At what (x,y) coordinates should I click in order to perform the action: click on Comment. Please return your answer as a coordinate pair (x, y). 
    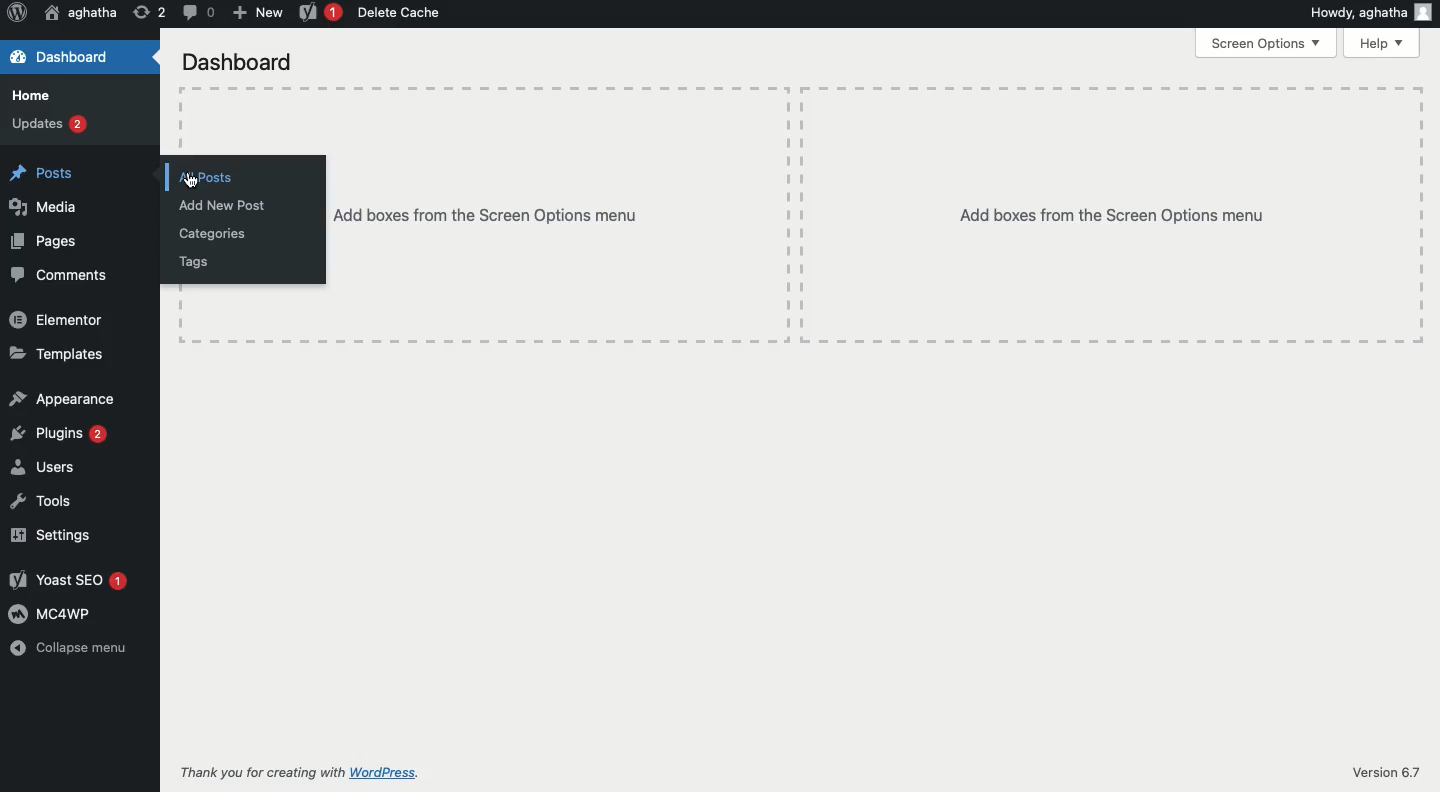
    Looking at the image, I should click on (197, 14).